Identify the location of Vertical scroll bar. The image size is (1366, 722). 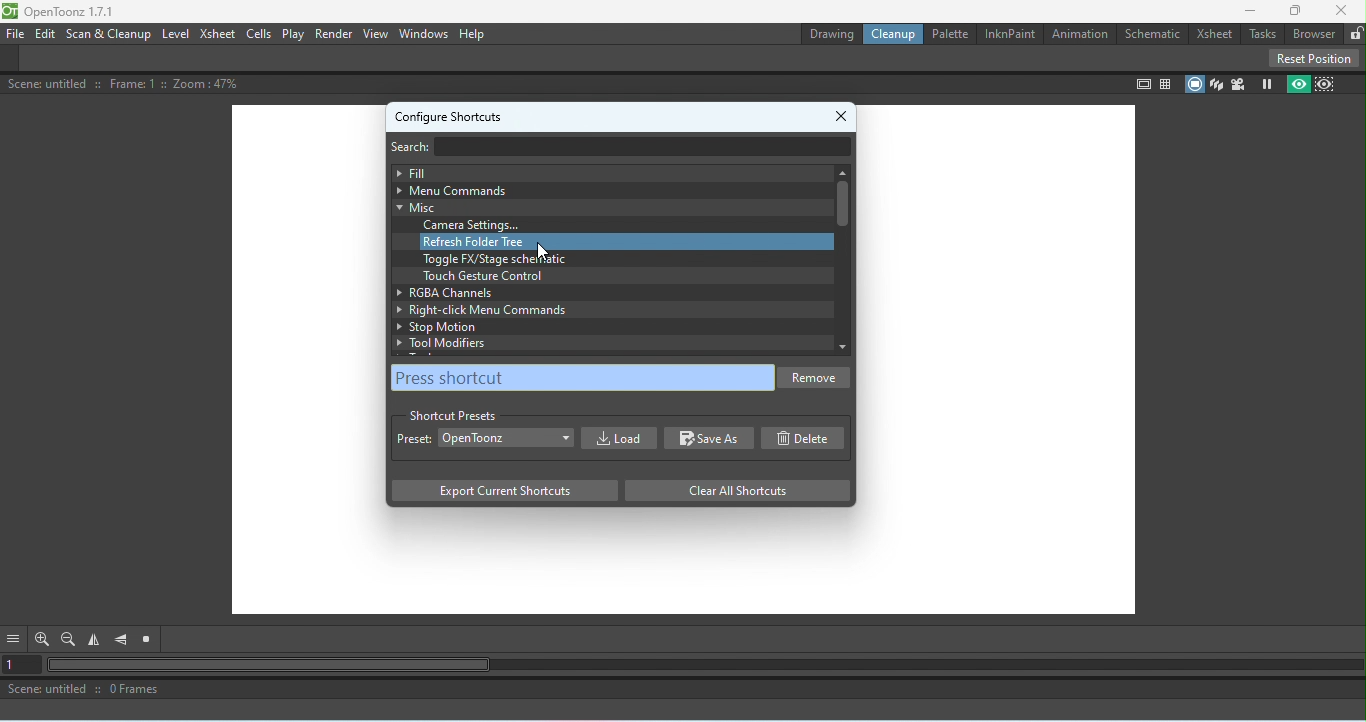
(841, 259).